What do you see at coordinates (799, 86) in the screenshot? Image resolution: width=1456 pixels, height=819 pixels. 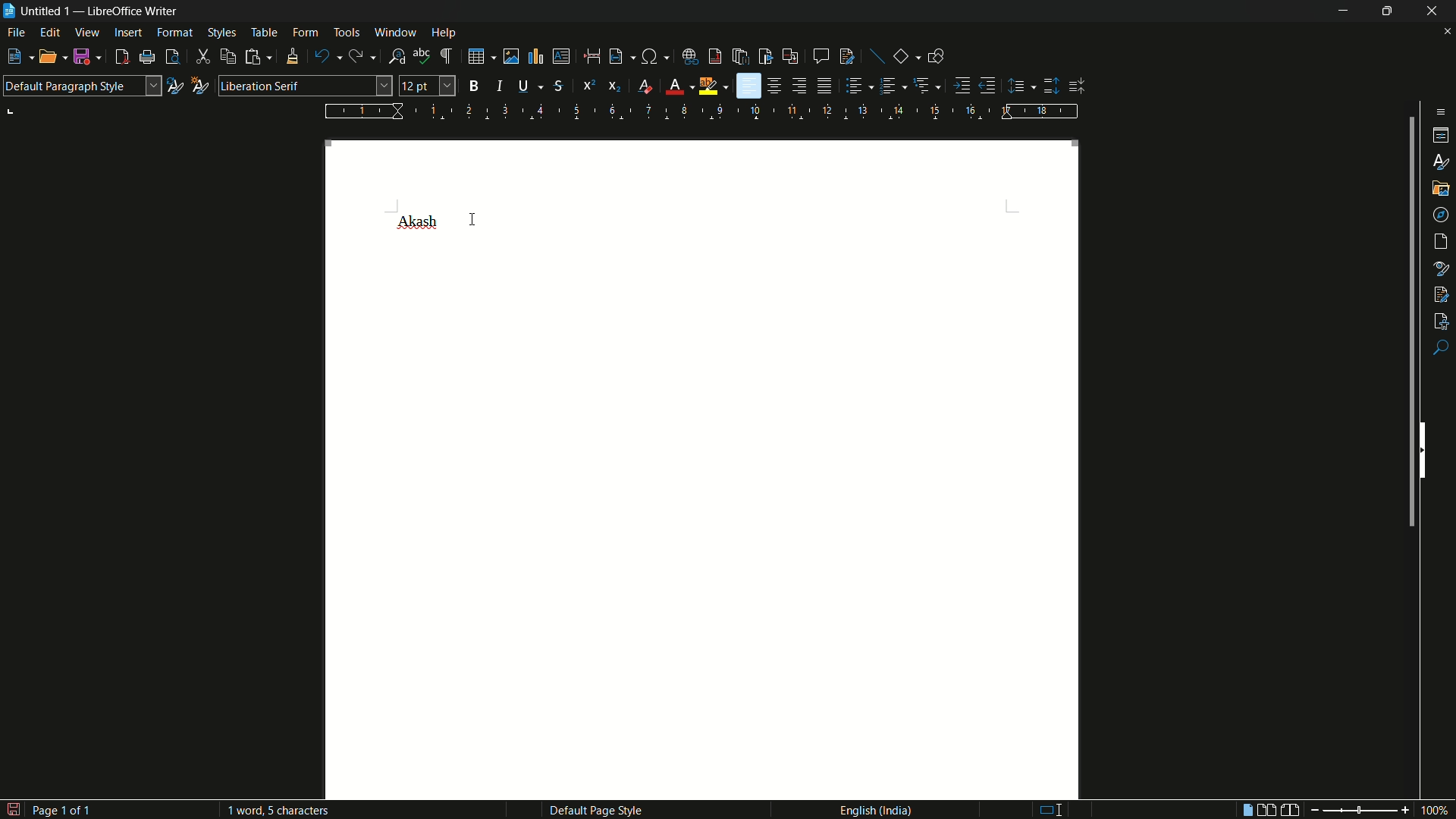 I see `align right` at bounding box center [799, 86].